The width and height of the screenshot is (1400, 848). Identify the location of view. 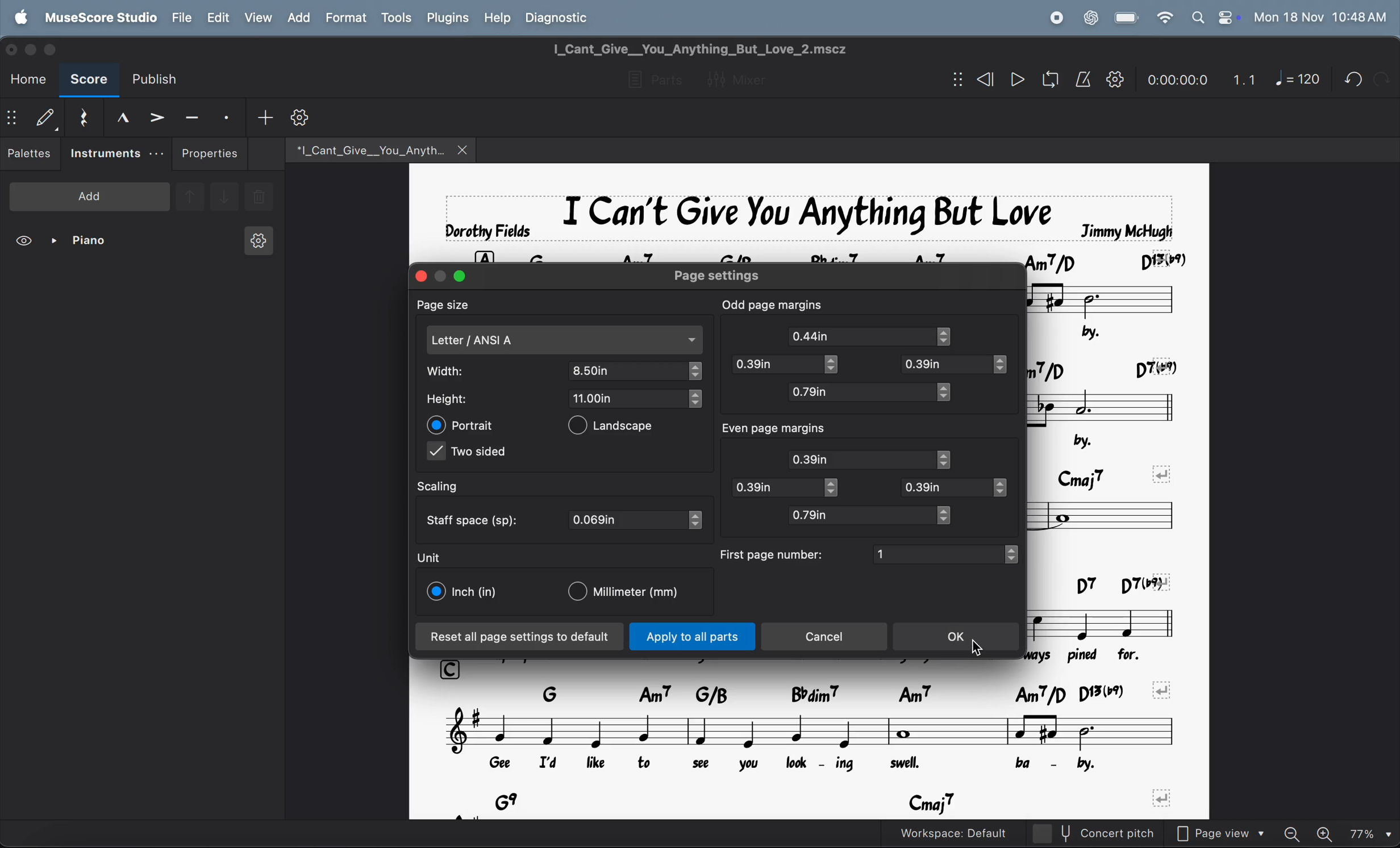
(257, 17).